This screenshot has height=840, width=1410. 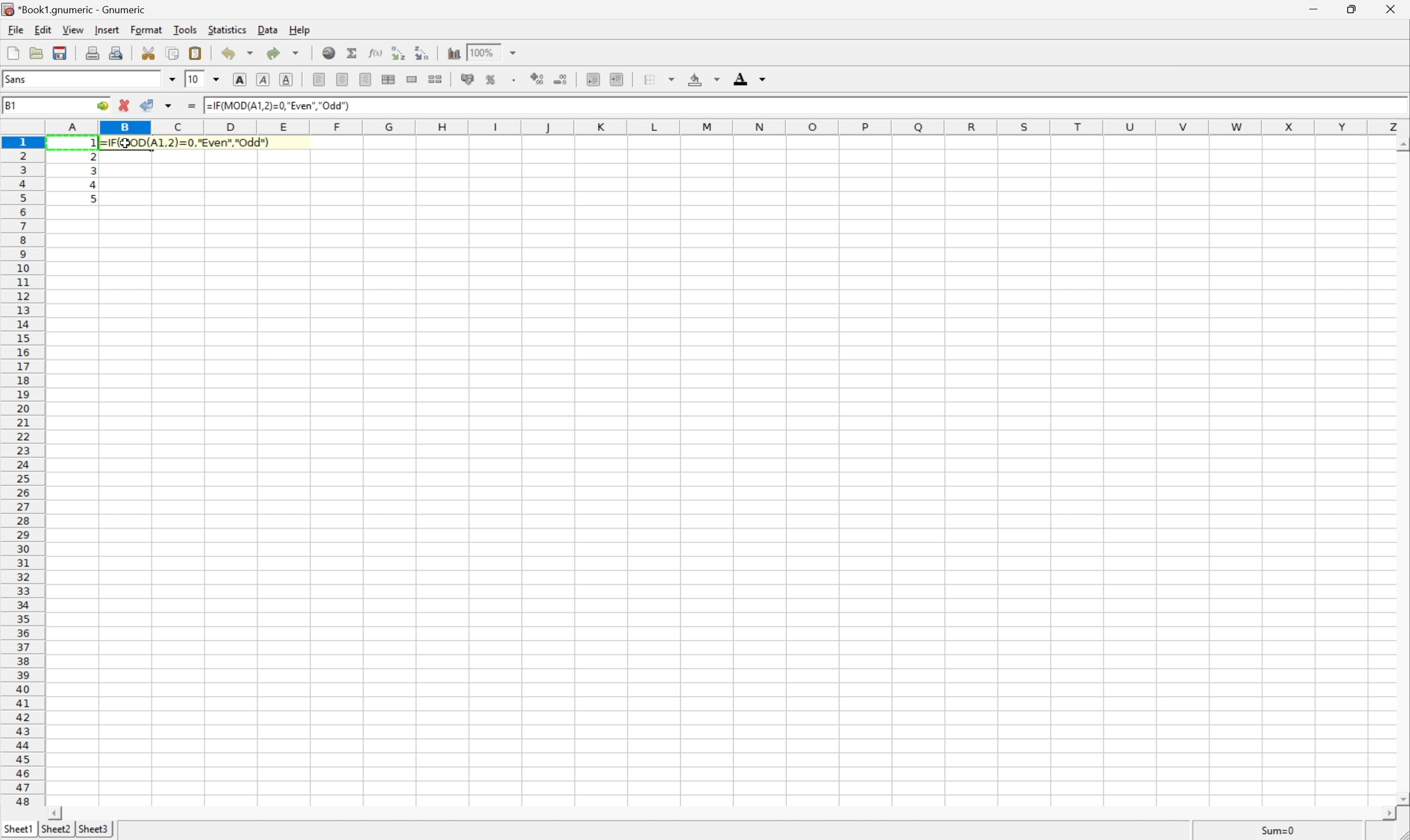 What do you see at coordinates (412, 79) in the screenshot?
I see `Merge range of cells` at bounding box center [412, 79].